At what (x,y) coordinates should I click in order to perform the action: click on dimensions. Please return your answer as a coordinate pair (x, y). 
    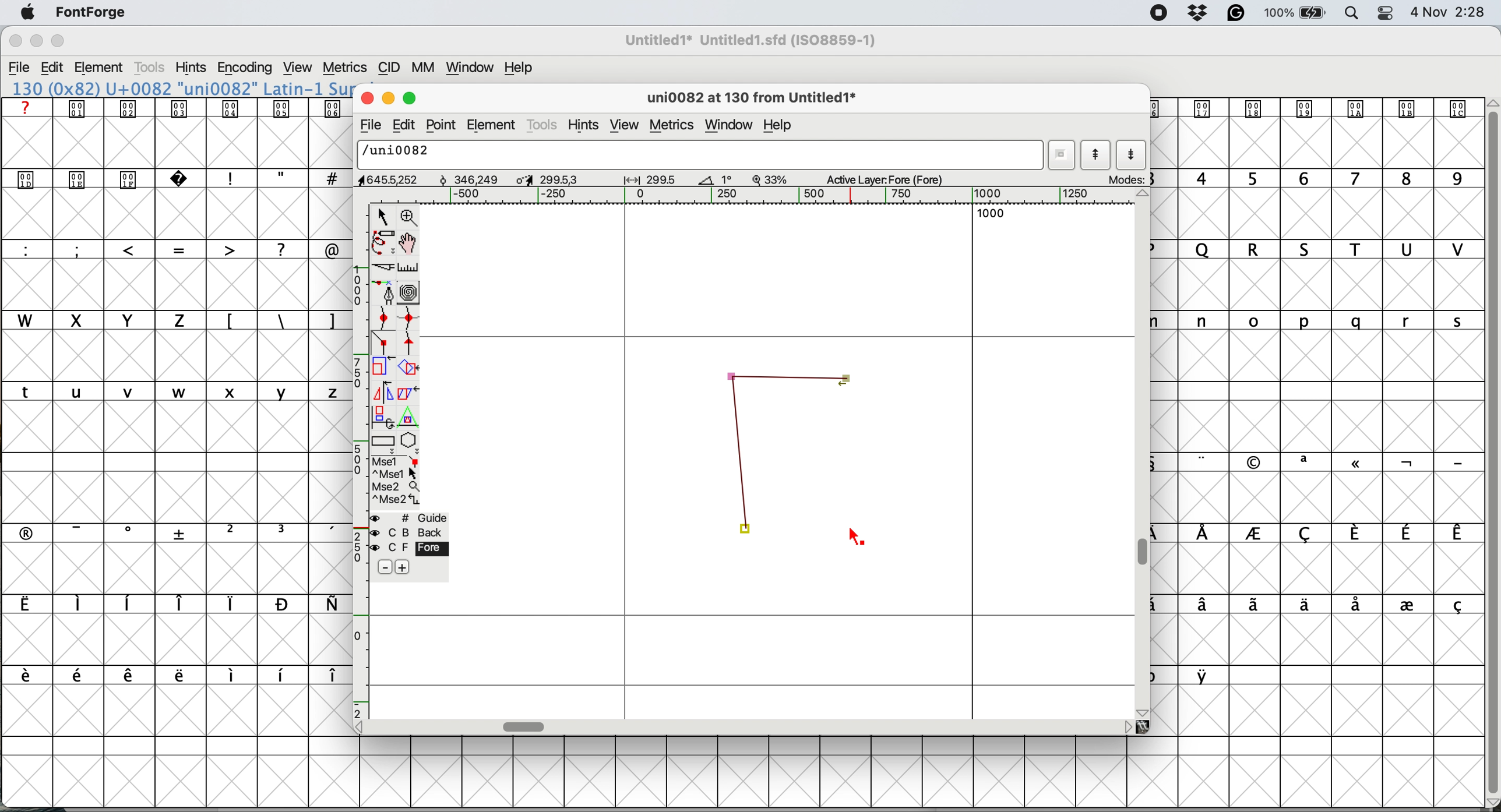
    Looking at the image, I should click on (541, 179).